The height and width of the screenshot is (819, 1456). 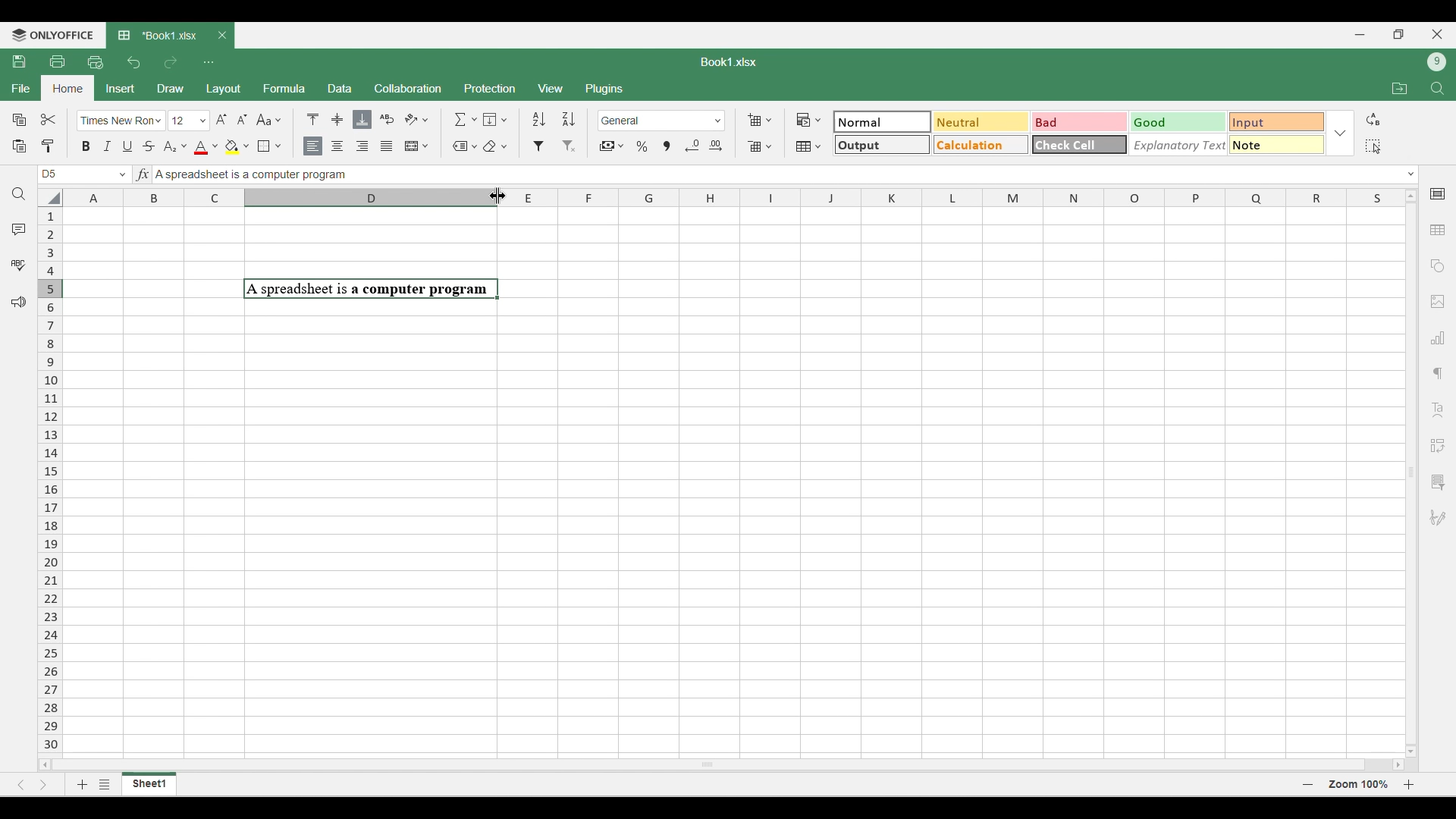 What do you see at coordinates (340, 87) in the screenshot?
I see `Data menu` at bounding box center [340, 87].